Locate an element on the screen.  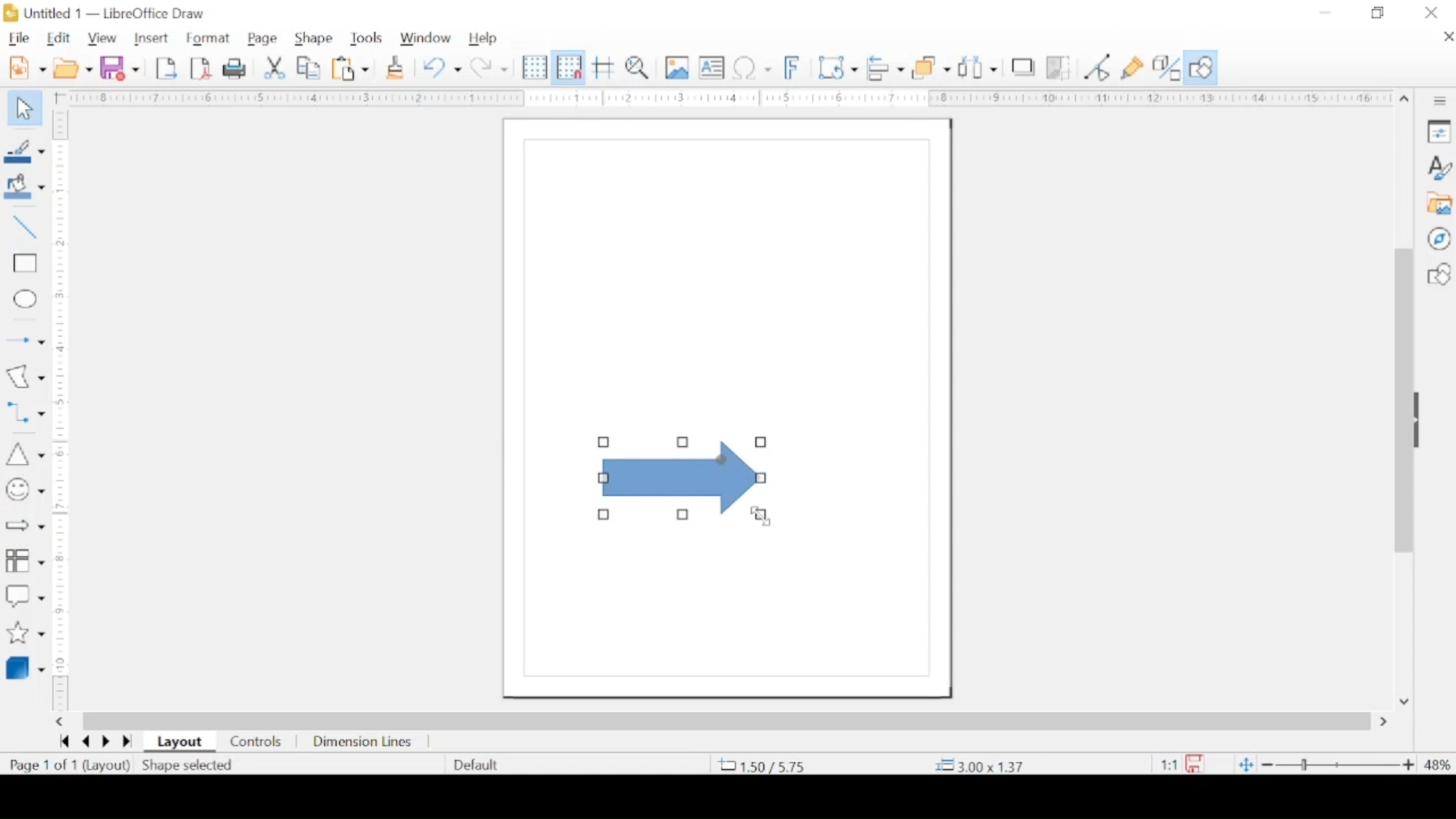
coordinate is located at coordinates (761, 765).